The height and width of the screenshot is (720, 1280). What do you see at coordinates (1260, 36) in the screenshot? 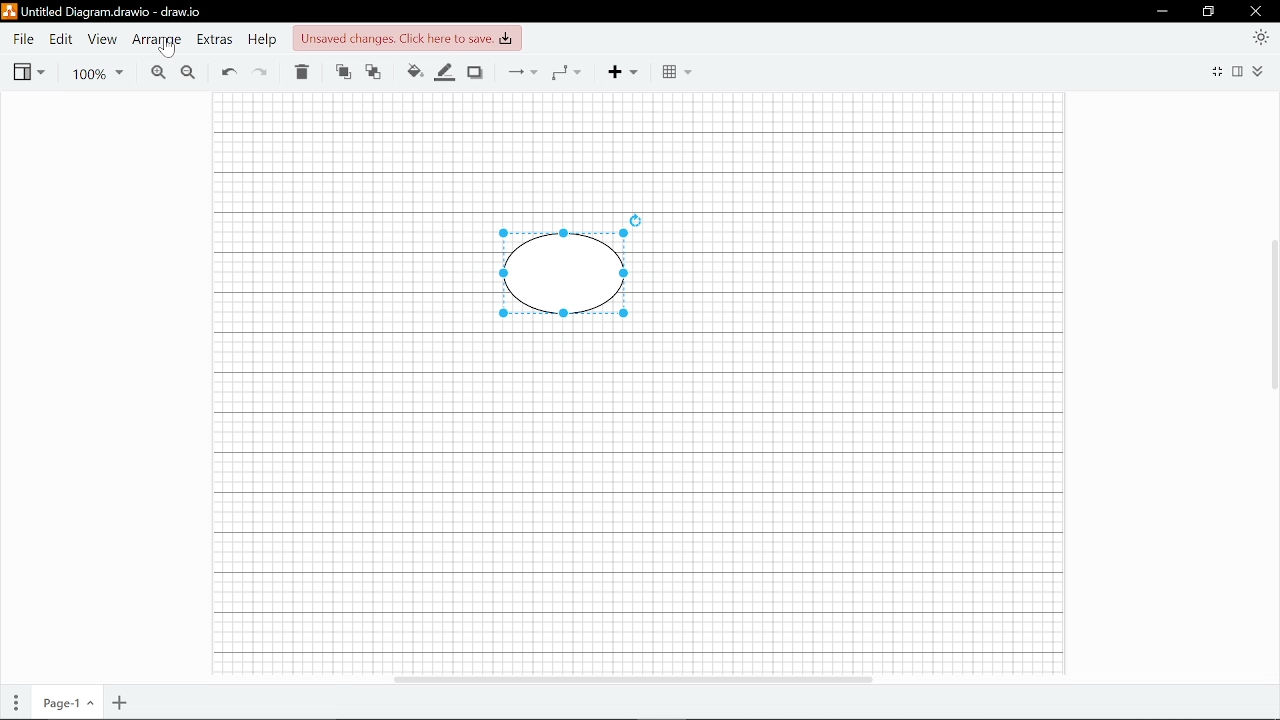
I see `Appearance` at bounding box center [1260, 36].